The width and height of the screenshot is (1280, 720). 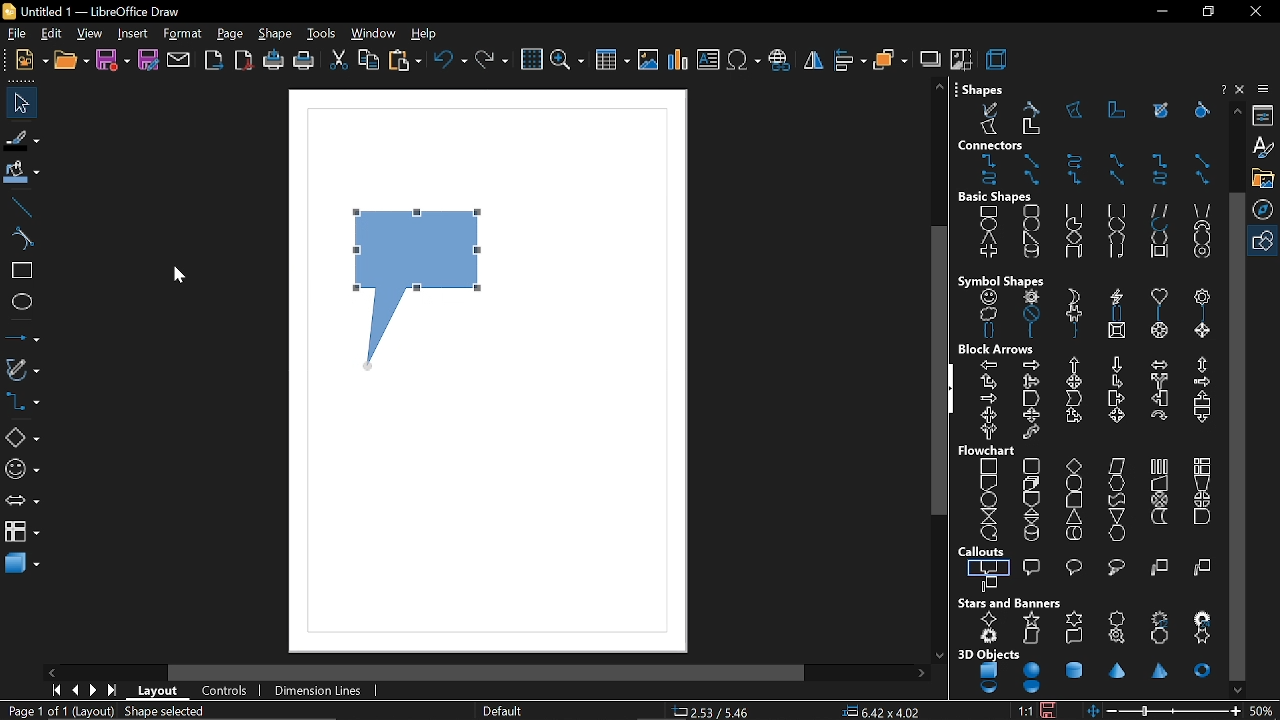 What do you see at coordinates (1117, 382) in the screenshot?
I see `corner right arrow` at bounding box center [1117, 382].